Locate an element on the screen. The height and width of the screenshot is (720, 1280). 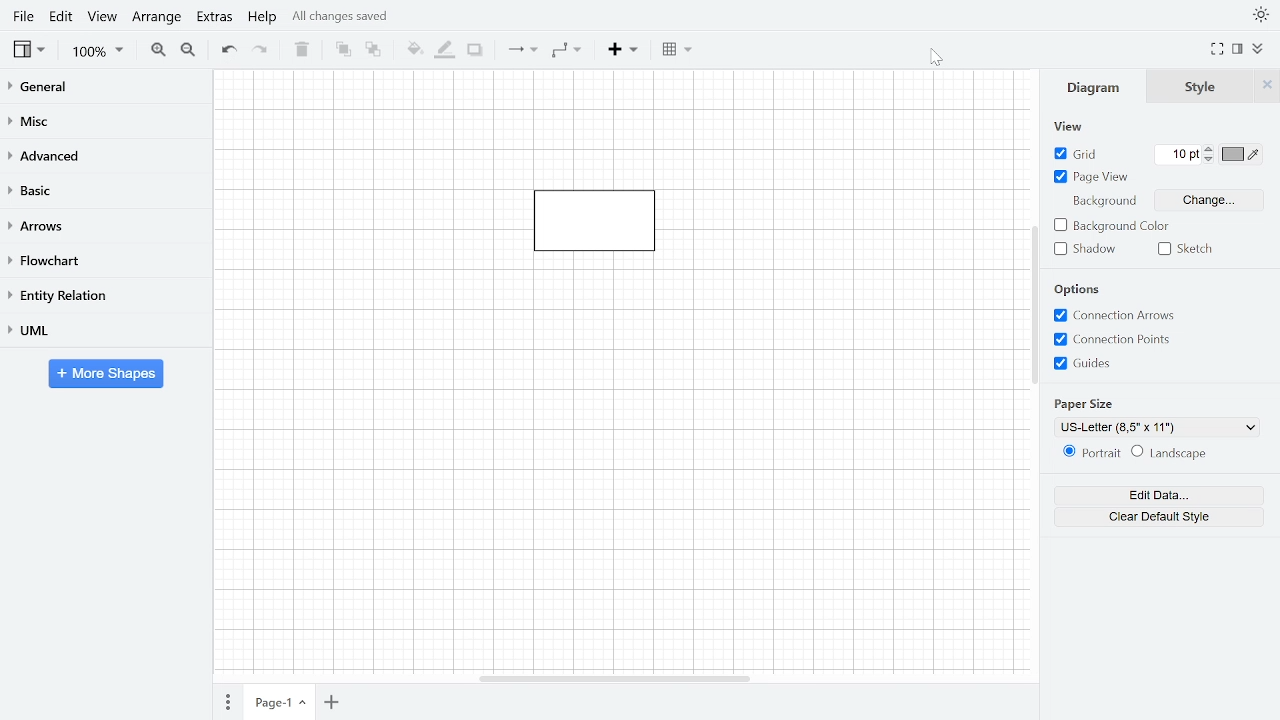
CLose is located at coordinates (1267, 85).